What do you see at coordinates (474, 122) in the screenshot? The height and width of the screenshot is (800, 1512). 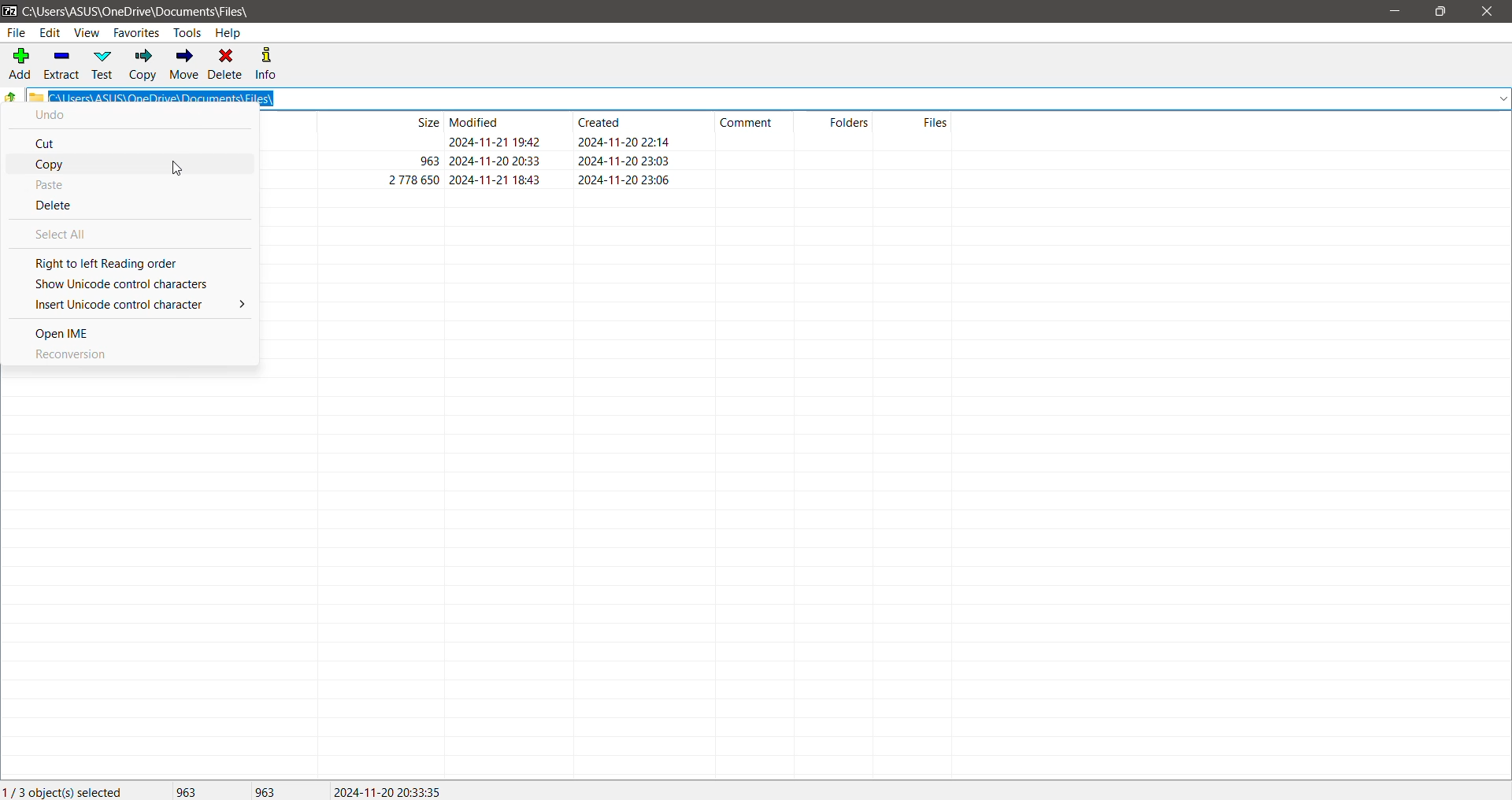 I see `modified` at bounding box center [474, 122].